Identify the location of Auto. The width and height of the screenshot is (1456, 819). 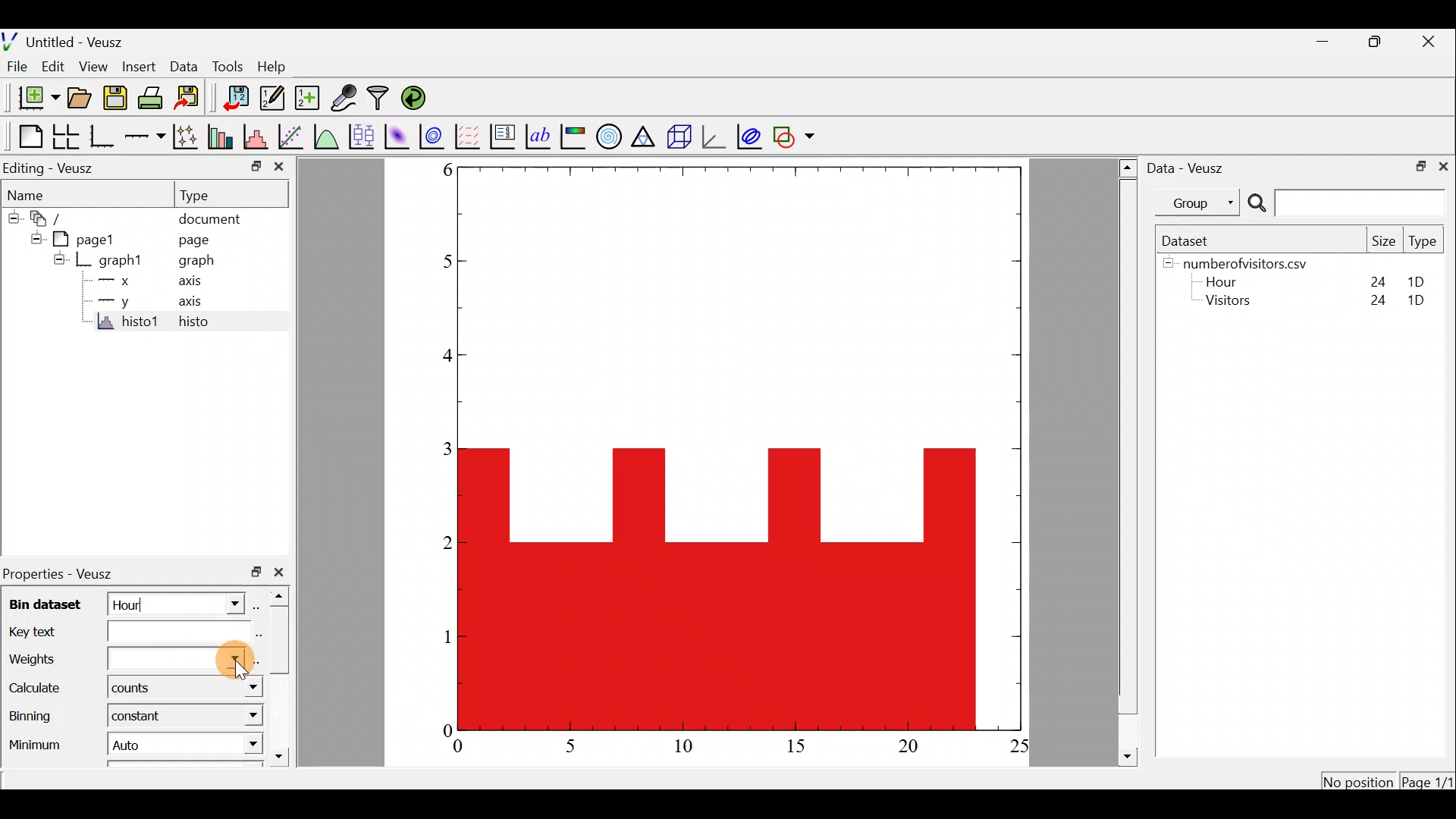
(144, 744).